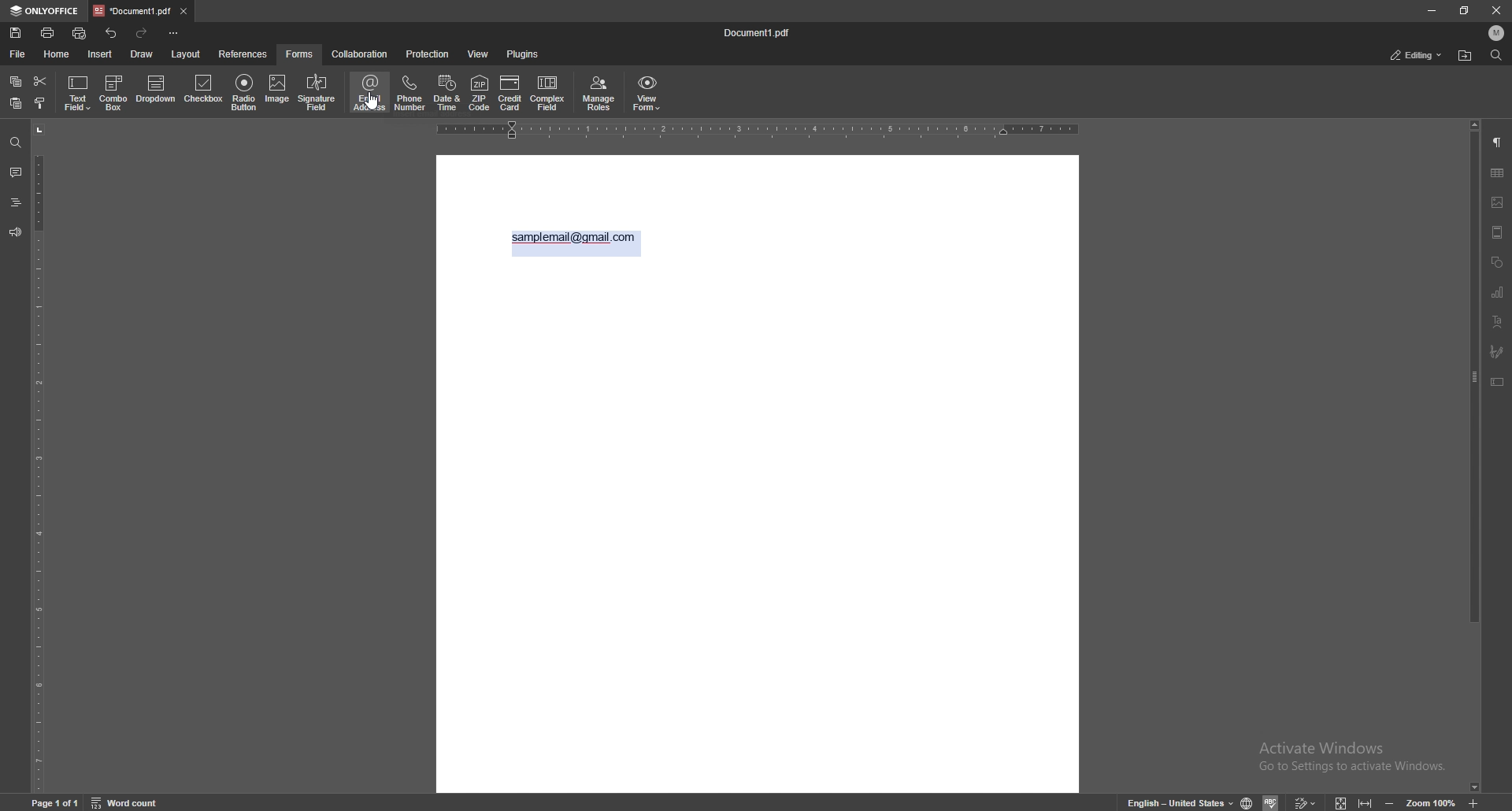  I want to click on resize, so click(1465, 9).